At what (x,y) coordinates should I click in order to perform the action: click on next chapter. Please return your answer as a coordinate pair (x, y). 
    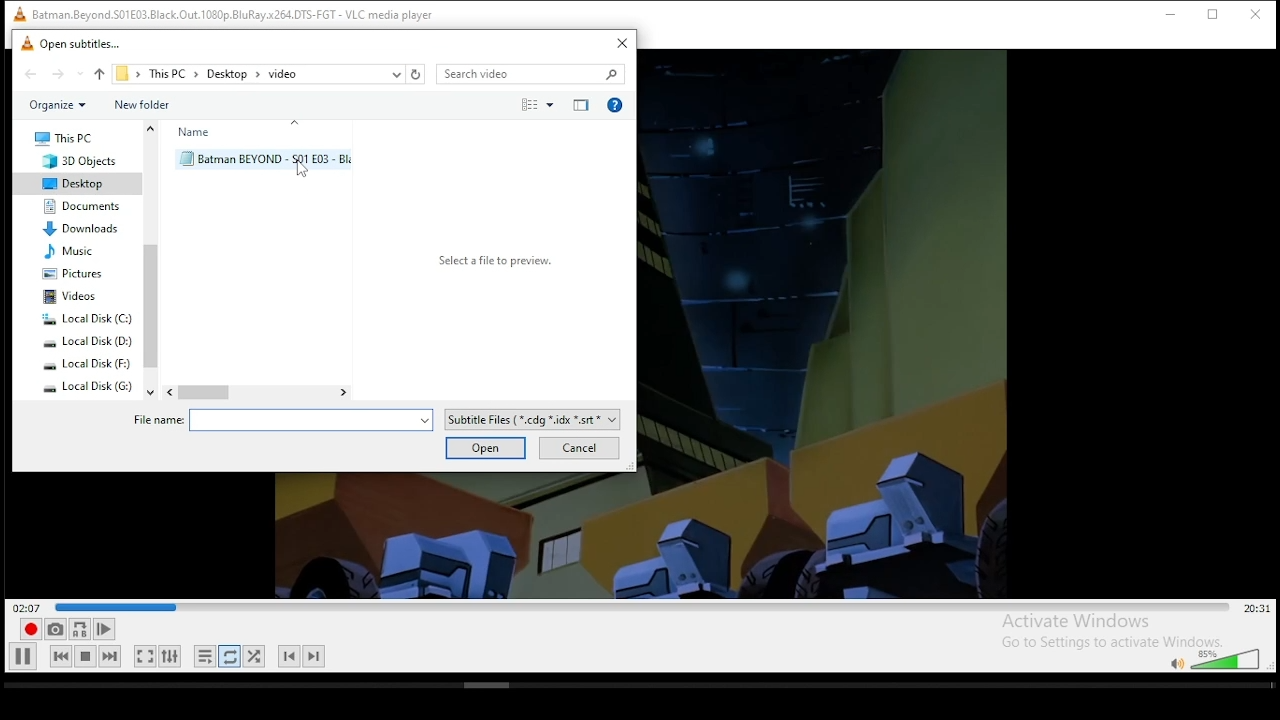
    Looking at the image, I should click on (315, 656).